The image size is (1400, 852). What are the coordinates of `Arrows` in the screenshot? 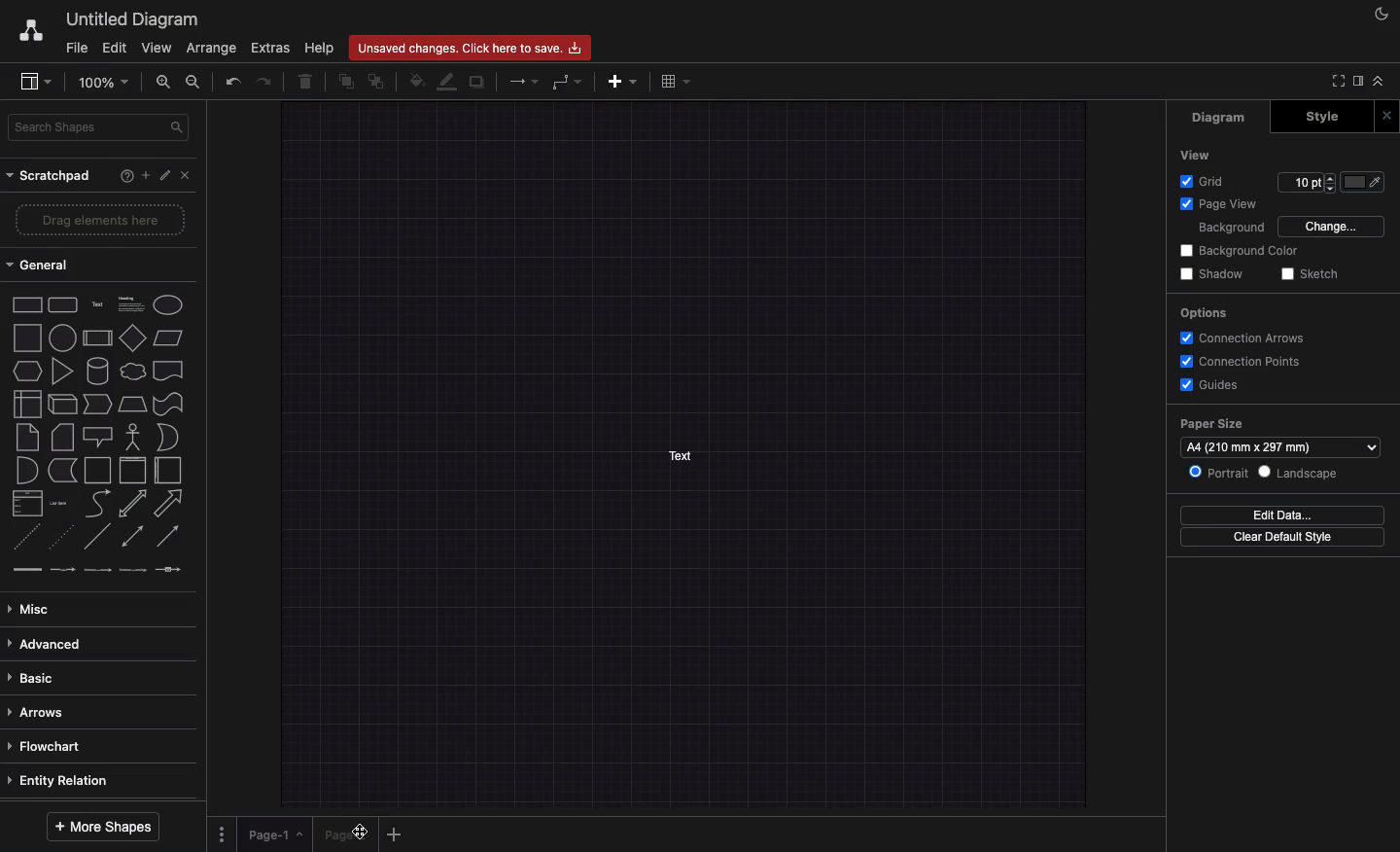 It's located at (37, 711).